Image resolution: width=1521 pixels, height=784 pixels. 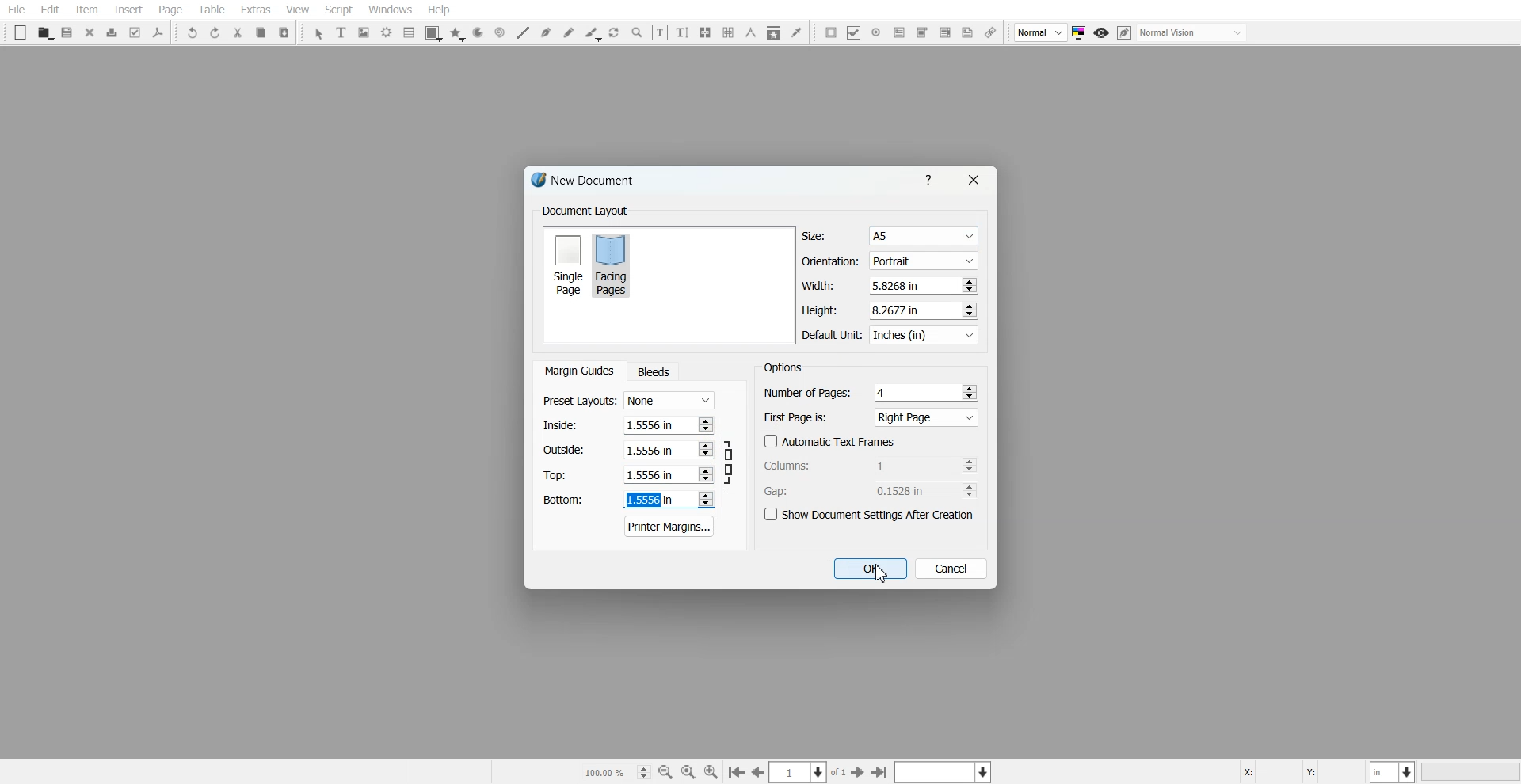 What do you see at coordinates (128, 10) in the screenshot?
I see `Insert` at bounding box center [128, 10].